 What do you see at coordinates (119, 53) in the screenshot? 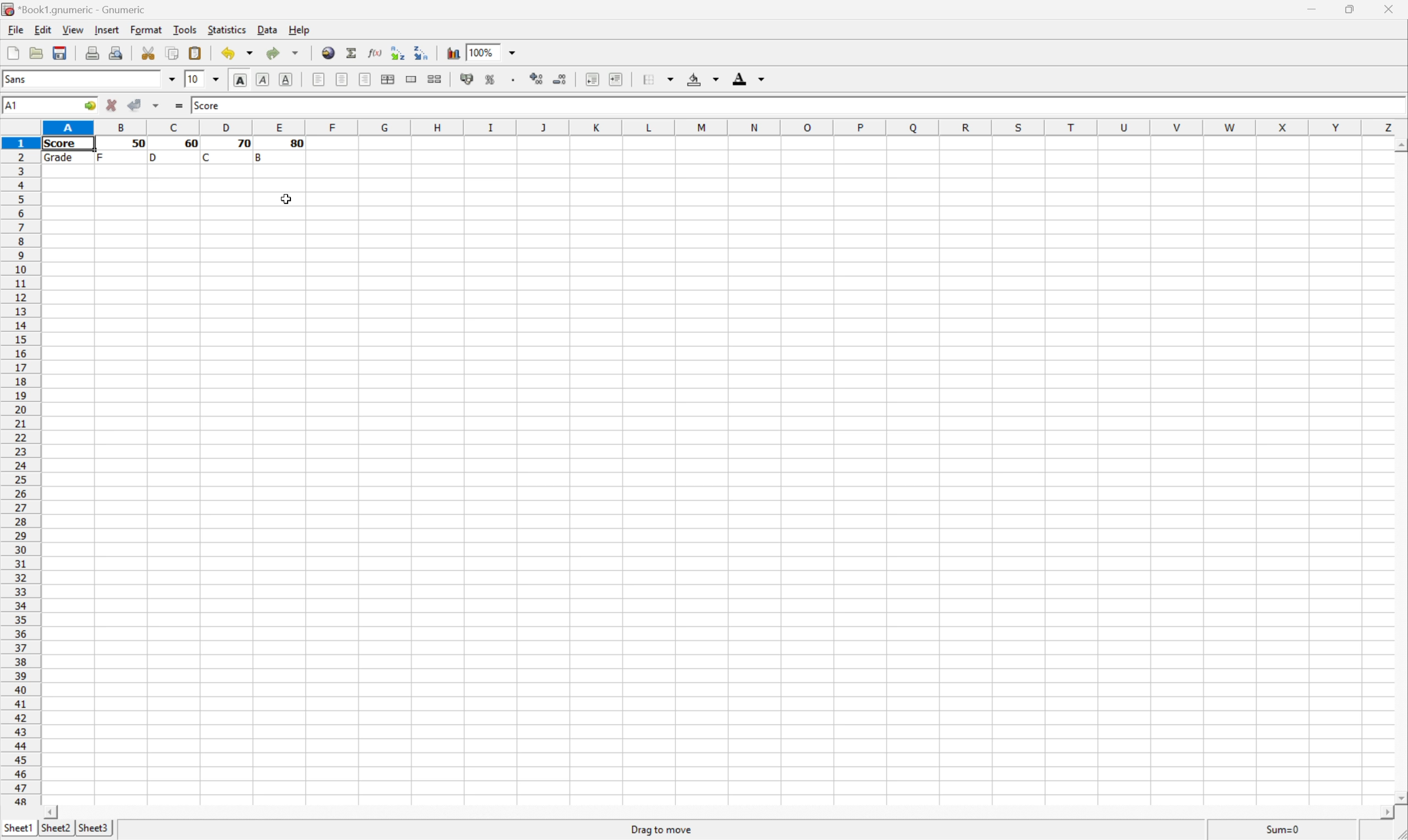
I see `Print Preview` at bounding box center [119, 53].